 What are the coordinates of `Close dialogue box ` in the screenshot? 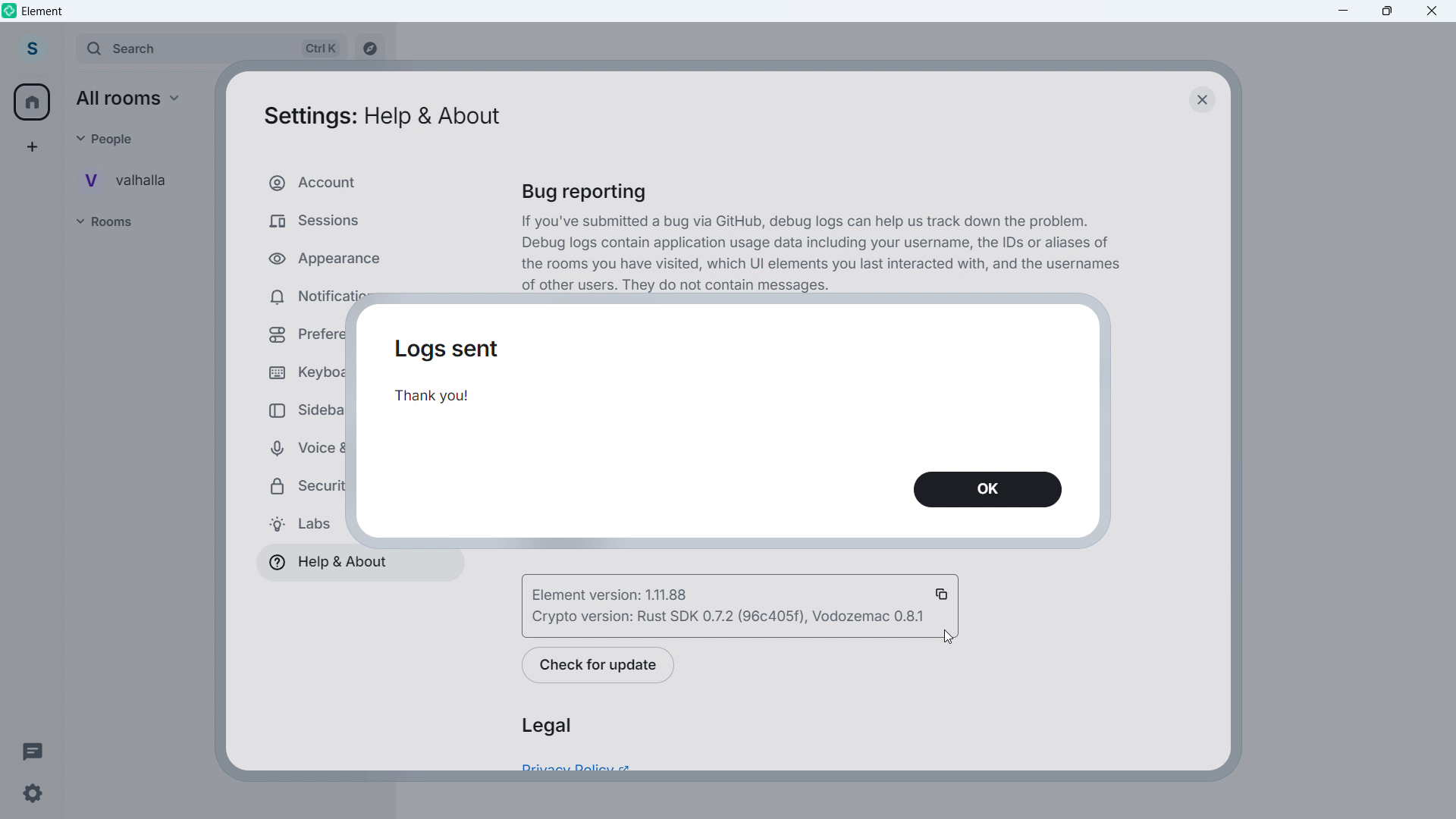 It's located at (1200, 99).